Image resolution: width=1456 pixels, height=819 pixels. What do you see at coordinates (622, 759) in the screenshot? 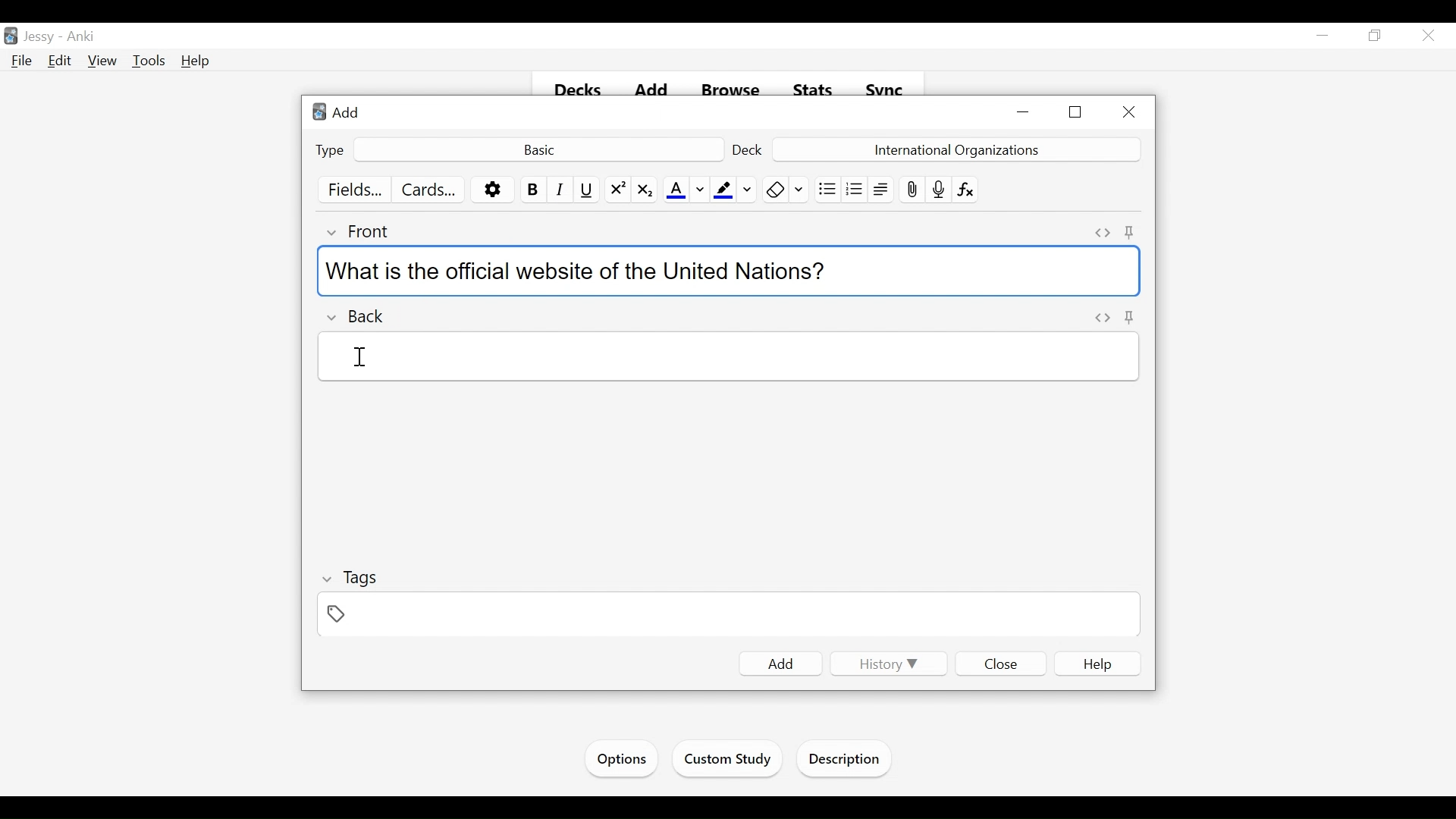
I see `Options` at bounding box center [622, 759].